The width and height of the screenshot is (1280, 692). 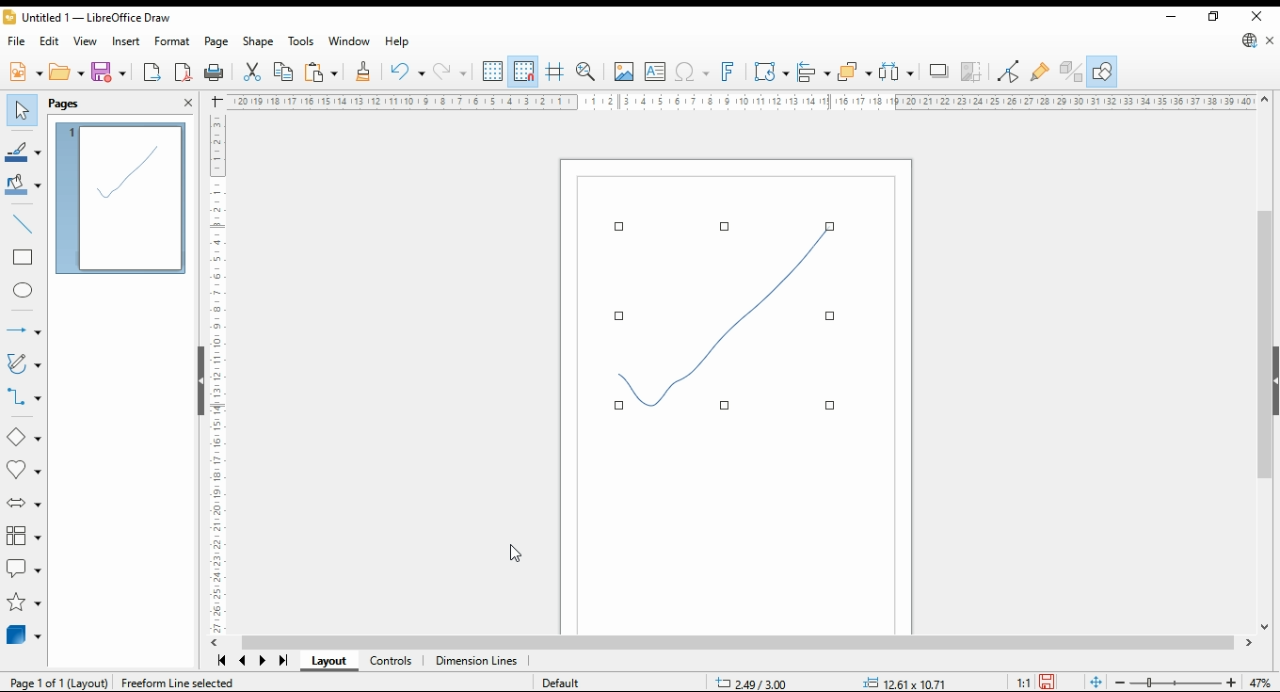 What do you see at coordinates (1096, 682) in the screenshot?
I see `fit document to window` at bounding box center [1096, 682].